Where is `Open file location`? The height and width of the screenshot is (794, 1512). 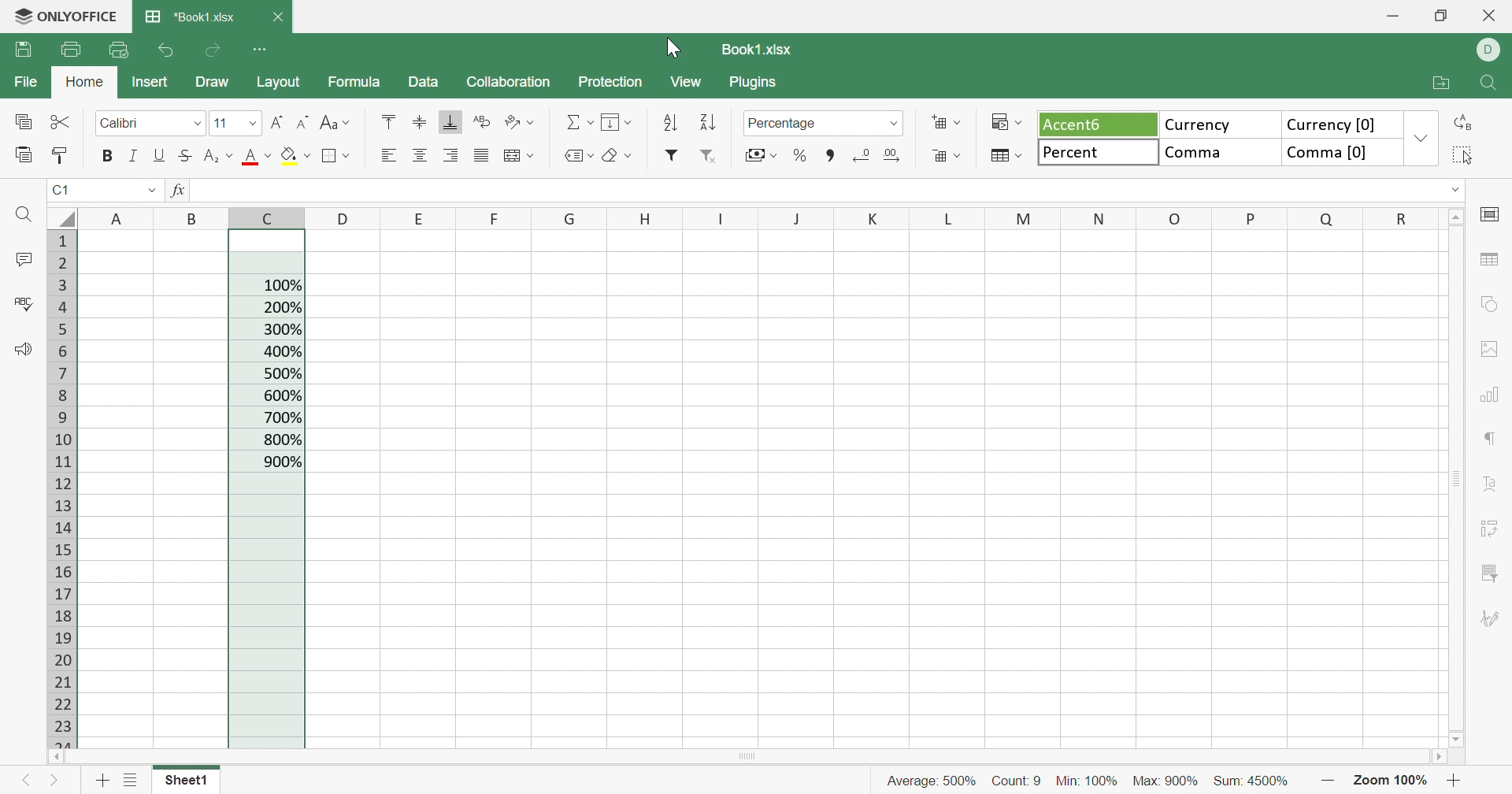 Open file location is located at coordinates (1440, 82).